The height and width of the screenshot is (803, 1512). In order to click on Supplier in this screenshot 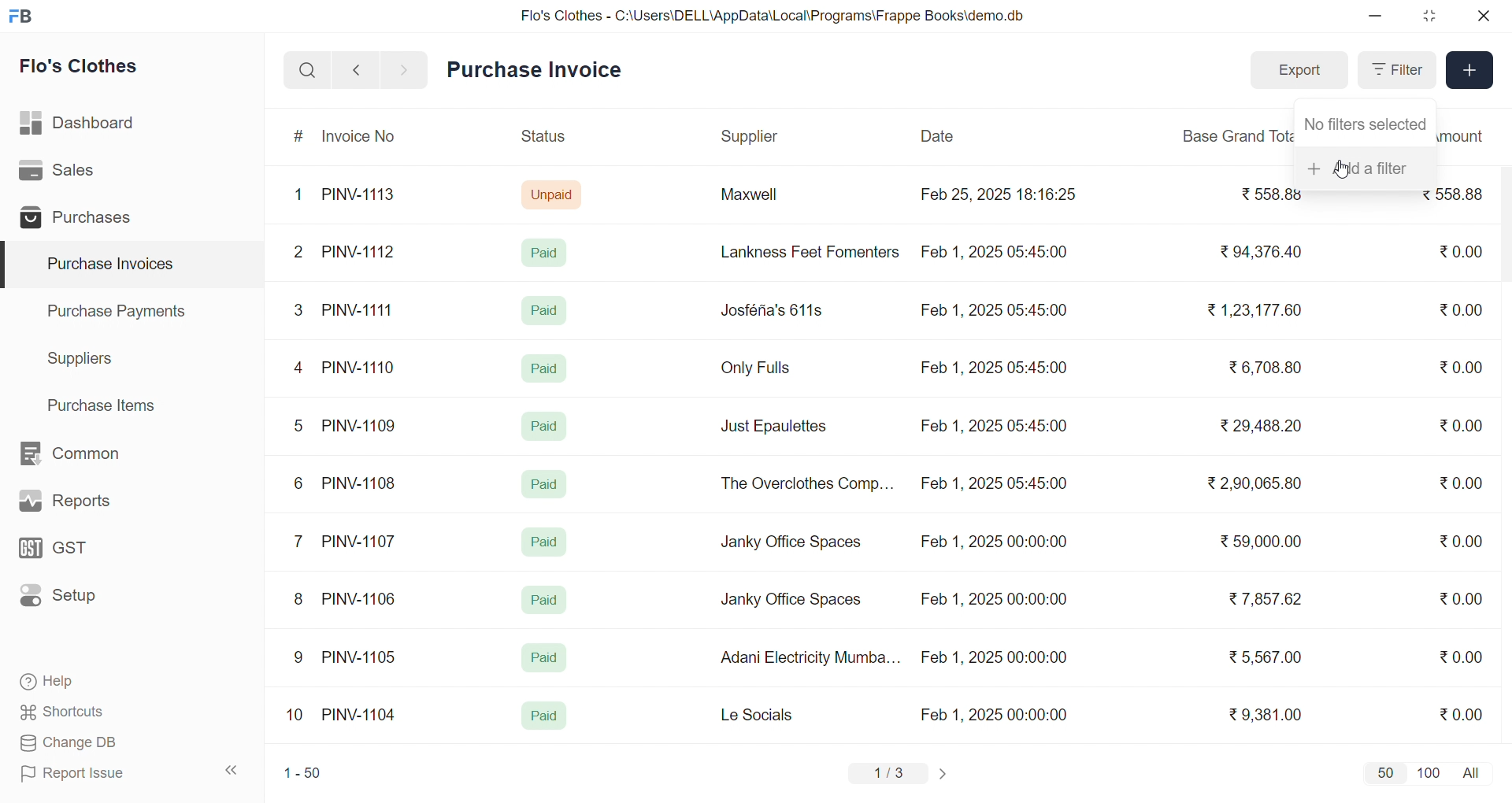, I will do `click(752, 137)`.